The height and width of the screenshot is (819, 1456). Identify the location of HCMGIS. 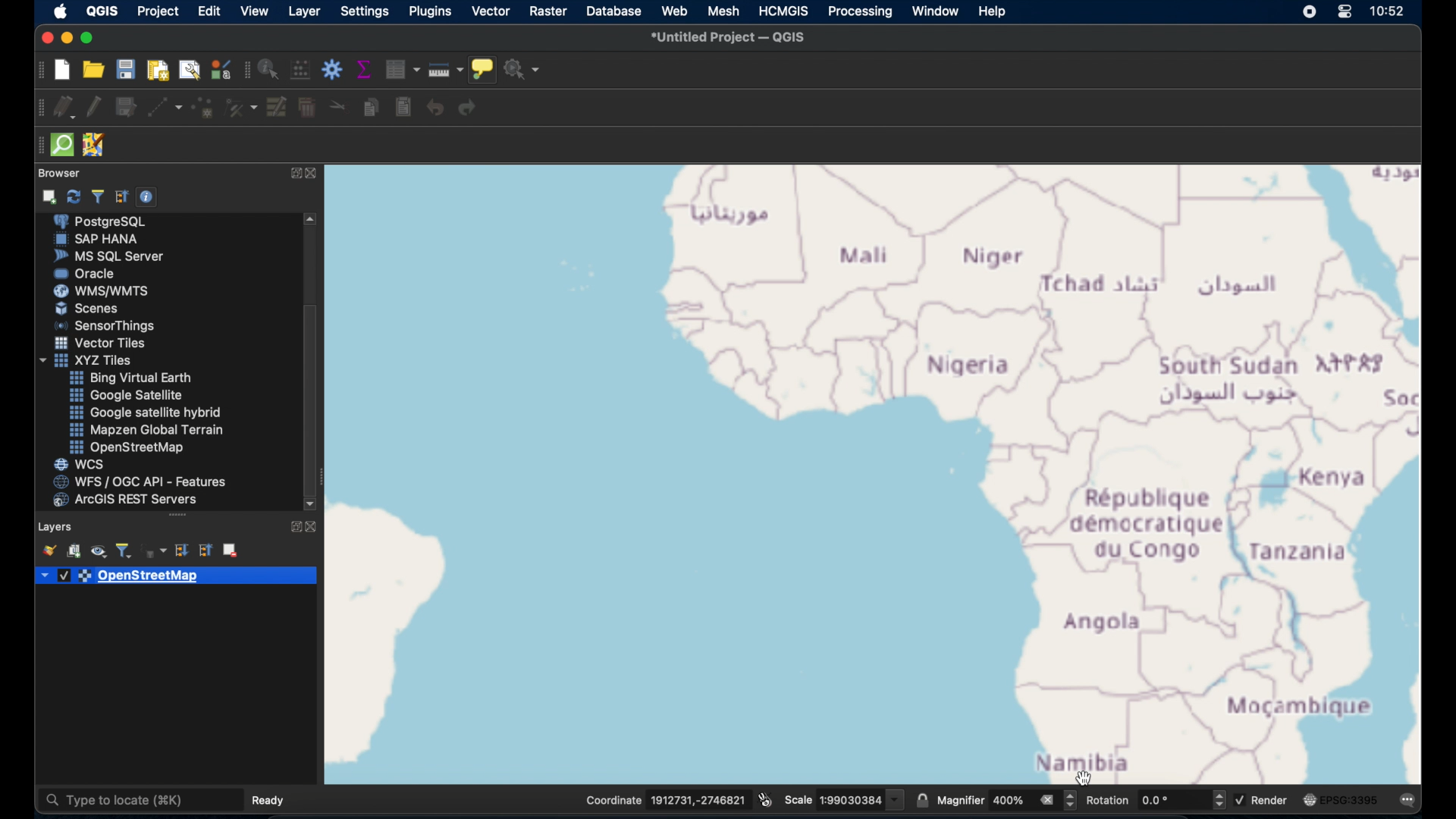
(786, 11).